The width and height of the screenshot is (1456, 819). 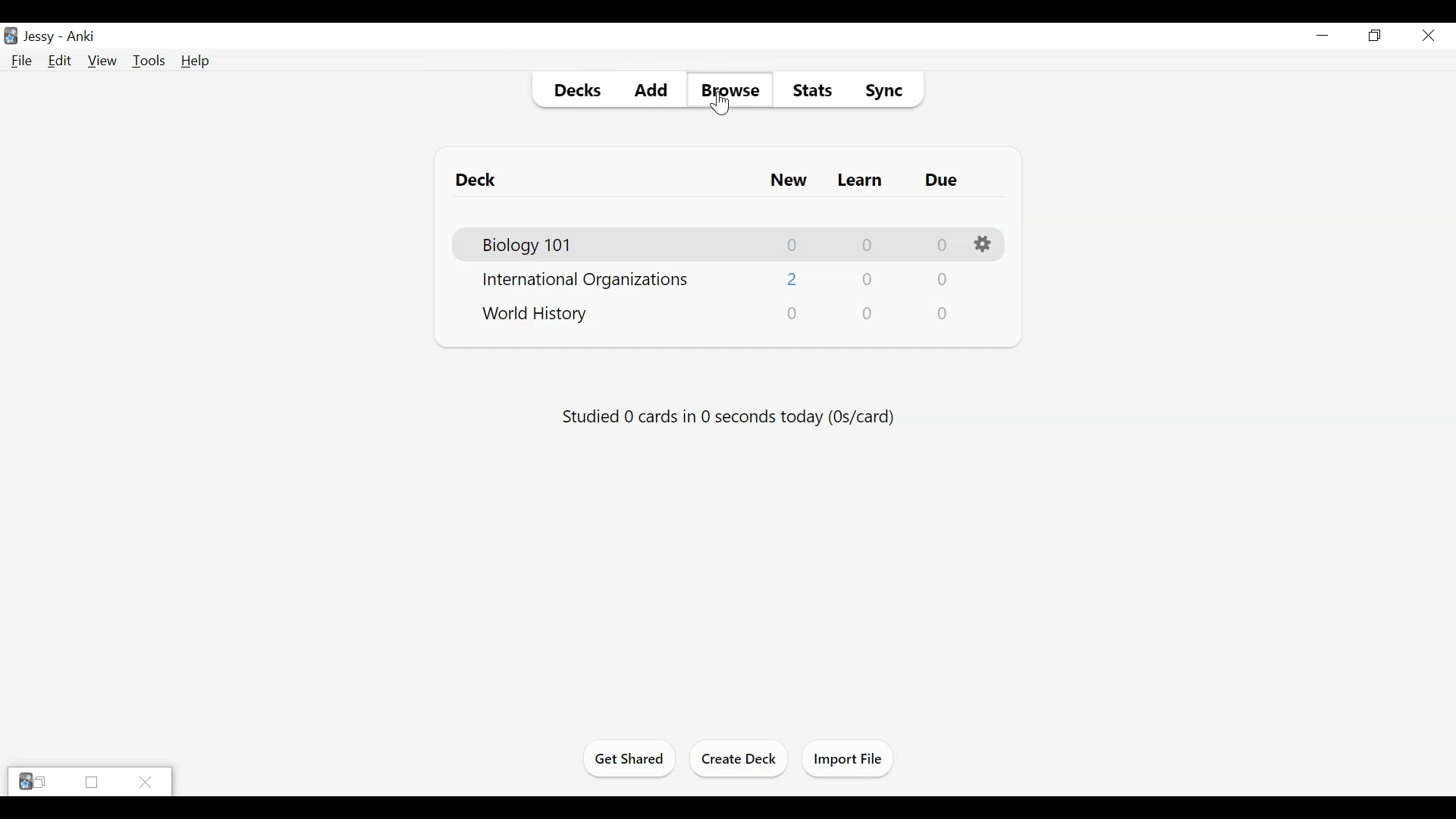 I want to click on Create Deck, so click(x=740, y=758).